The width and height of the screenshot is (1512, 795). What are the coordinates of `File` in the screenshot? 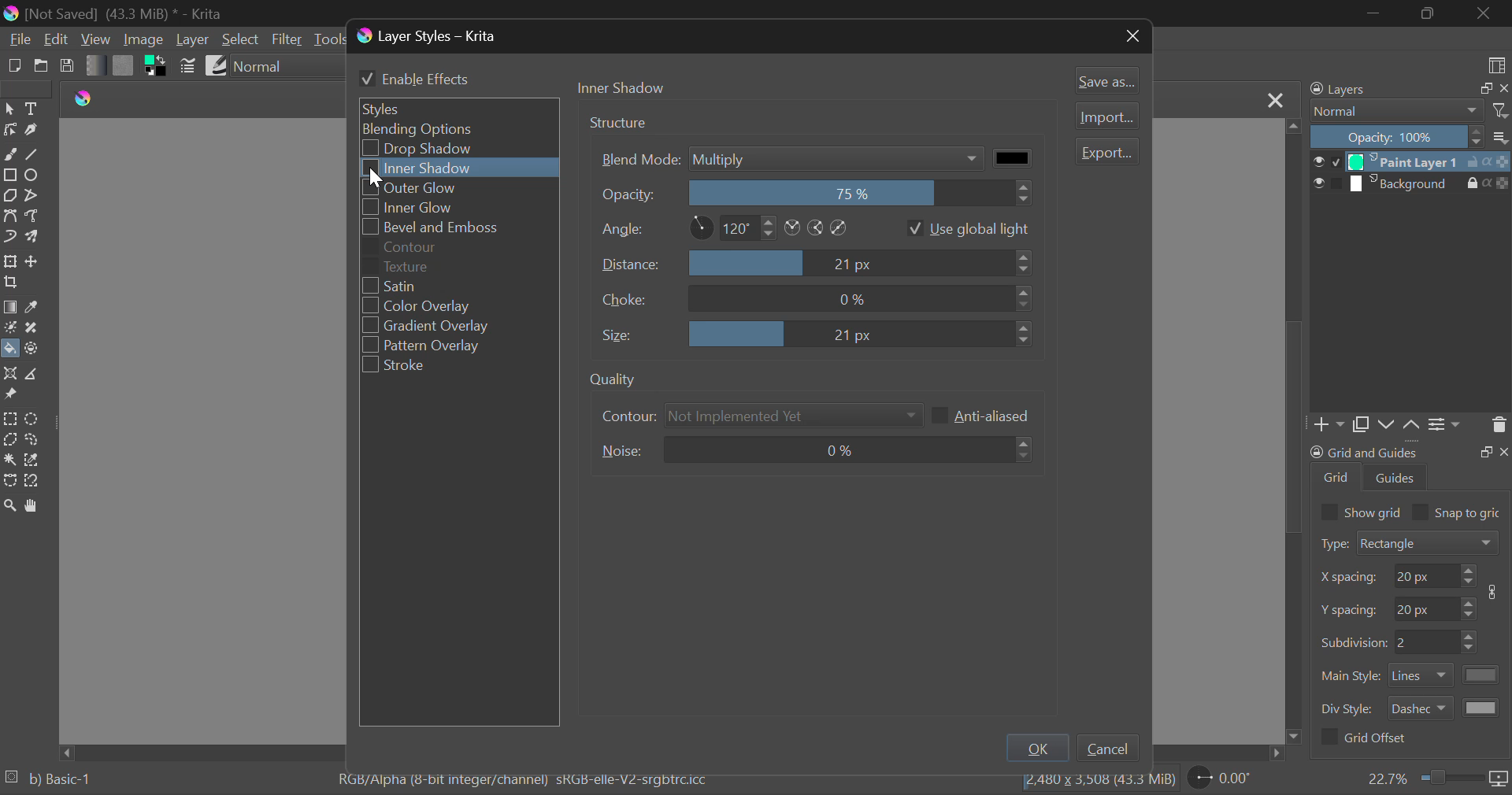 It's located at (19, 42).